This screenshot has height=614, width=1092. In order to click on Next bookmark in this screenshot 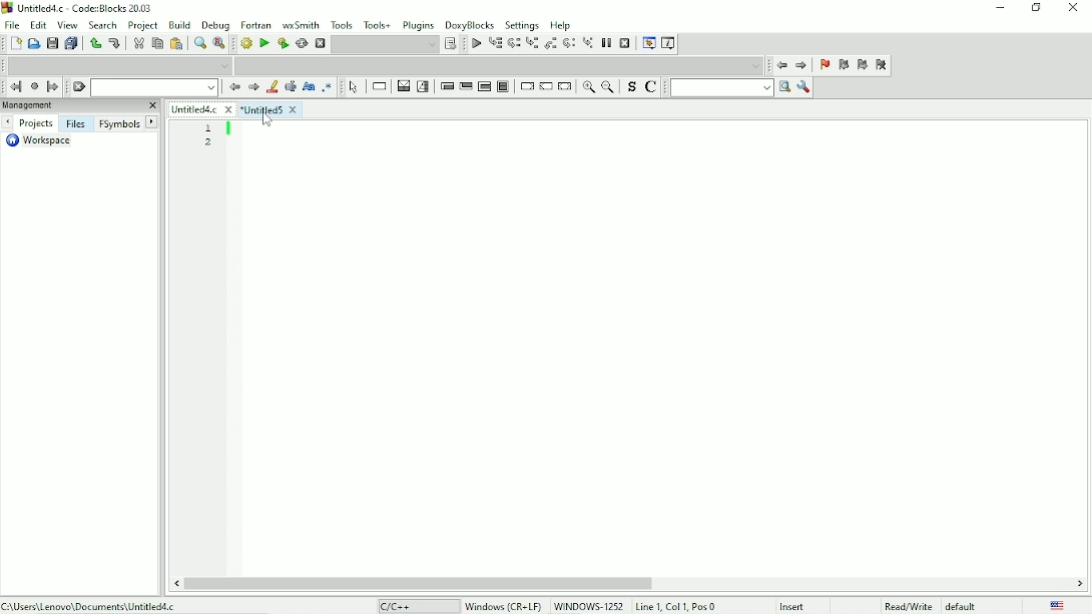, I will do `click(862, 64)`.